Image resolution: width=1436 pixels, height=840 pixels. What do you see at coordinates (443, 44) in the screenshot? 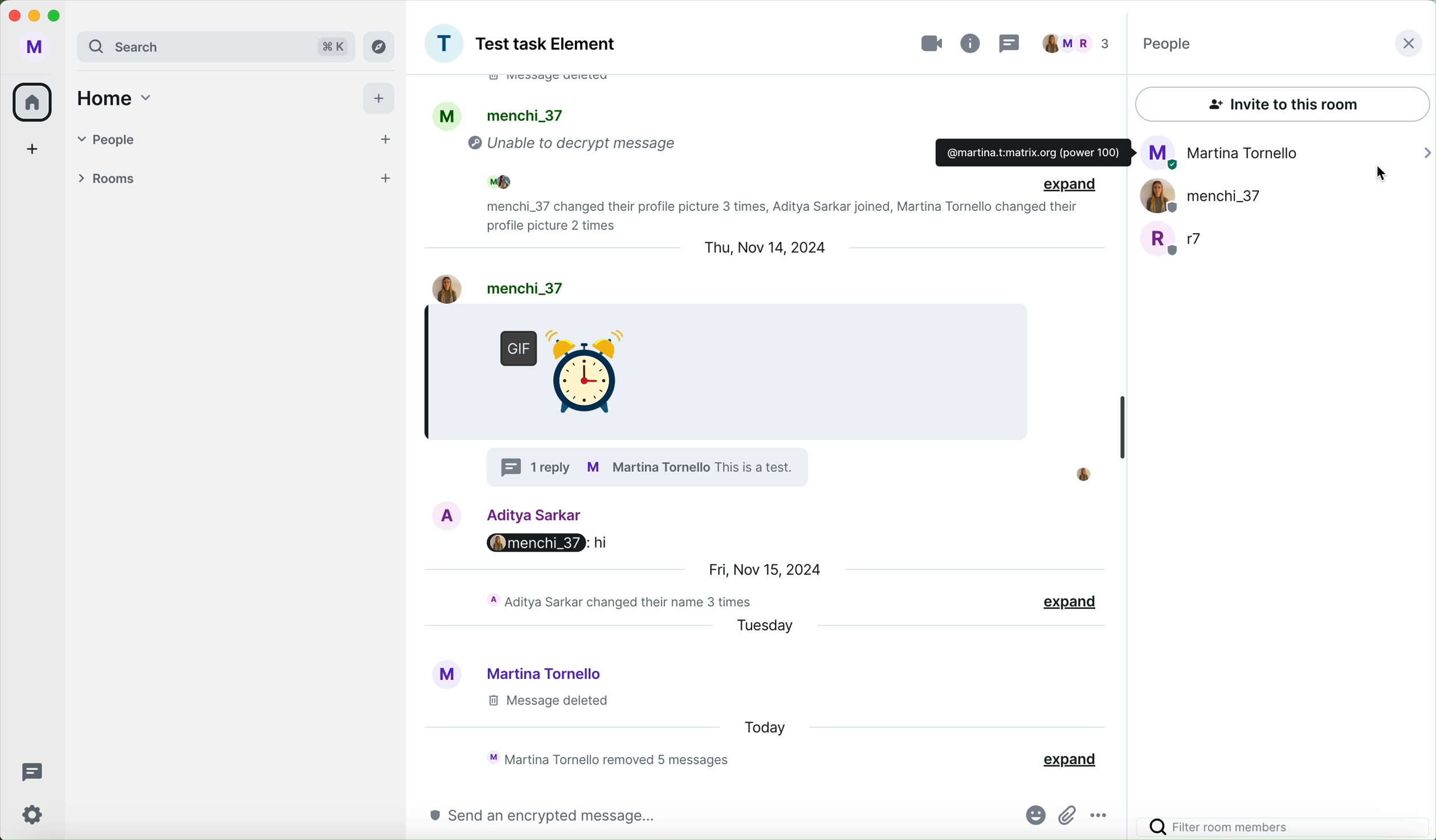
I see `profile picture` at bounding box center [443, 44].